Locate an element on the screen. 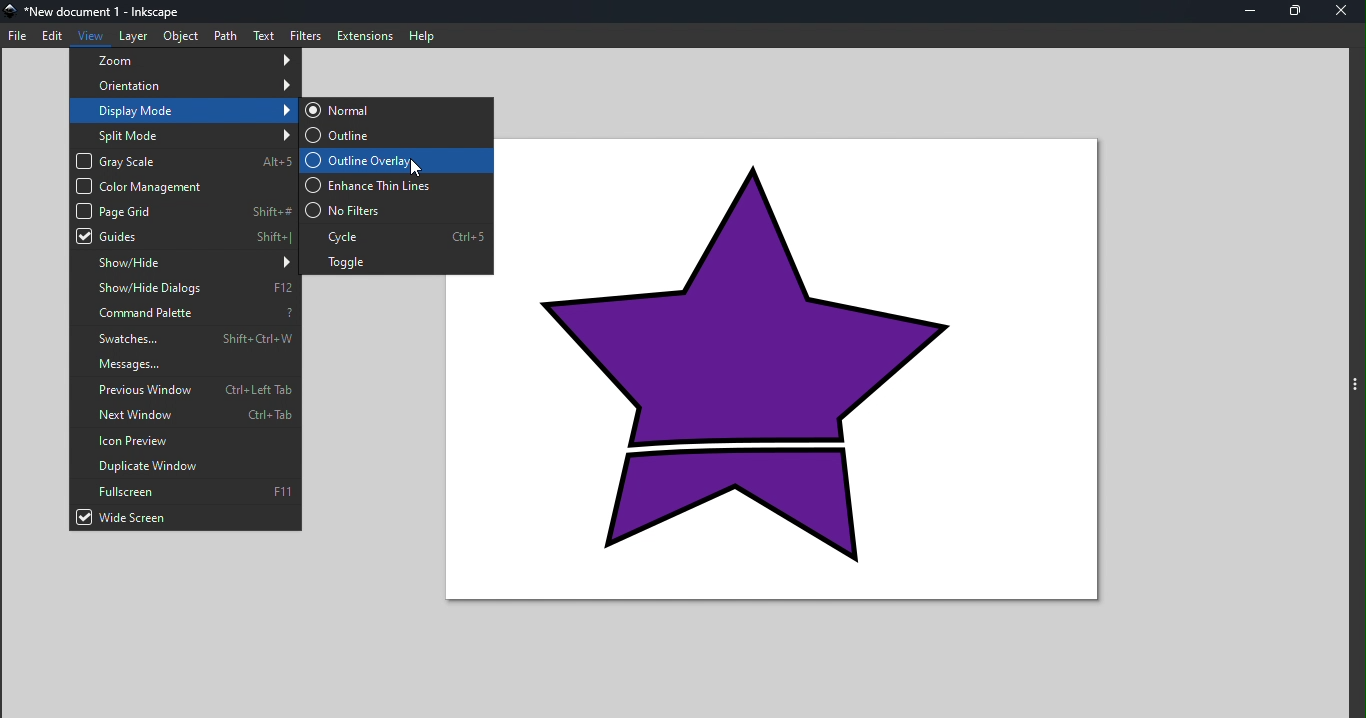 The image size is (1366, 718). Show/hide is located at coordinates (182, 264).